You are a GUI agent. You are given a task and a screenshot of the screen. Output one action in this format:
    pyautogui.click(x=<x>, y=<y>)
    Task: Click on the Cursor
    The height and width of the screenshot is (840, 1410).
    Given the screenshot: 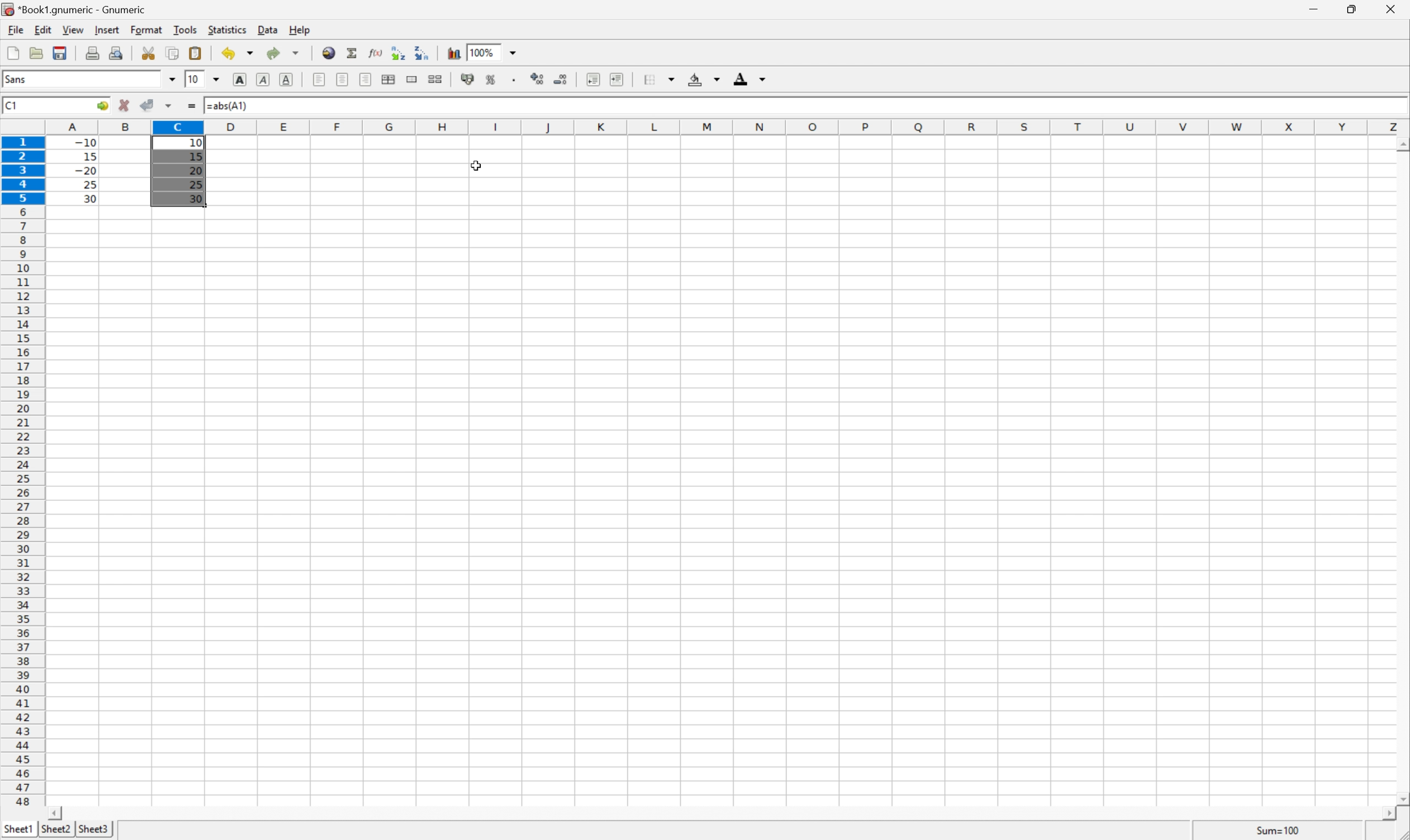 What is the action you would take?
    pyautogui.click(x=478, y=166)
    